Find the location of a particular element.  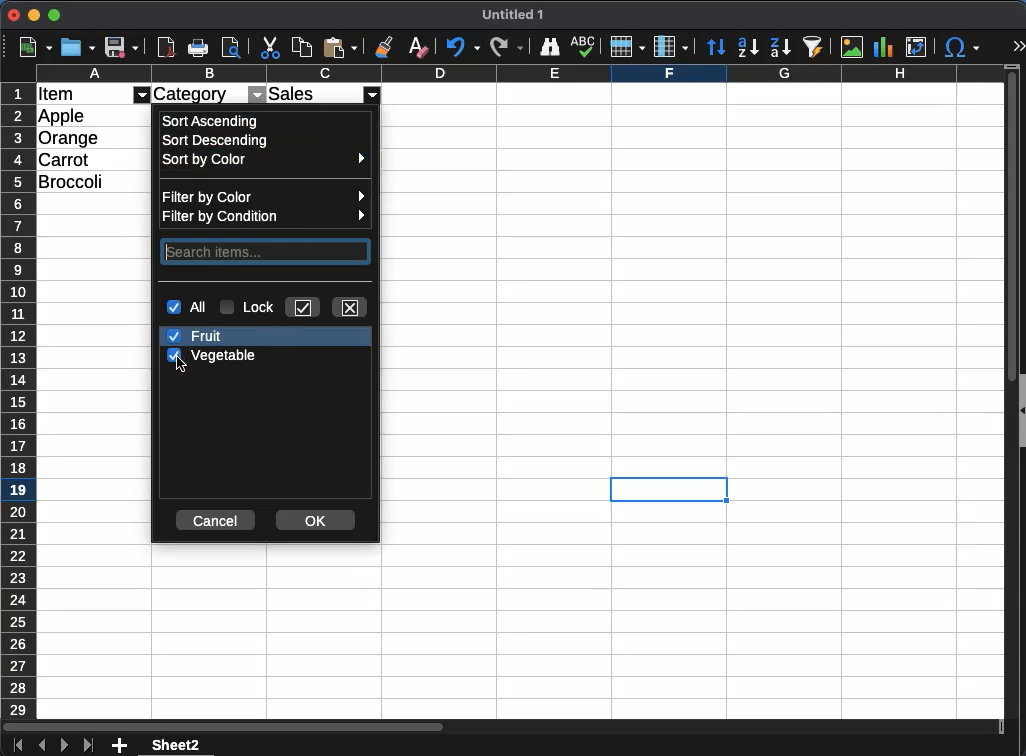

cell selection is located at coordinates (669, 490).